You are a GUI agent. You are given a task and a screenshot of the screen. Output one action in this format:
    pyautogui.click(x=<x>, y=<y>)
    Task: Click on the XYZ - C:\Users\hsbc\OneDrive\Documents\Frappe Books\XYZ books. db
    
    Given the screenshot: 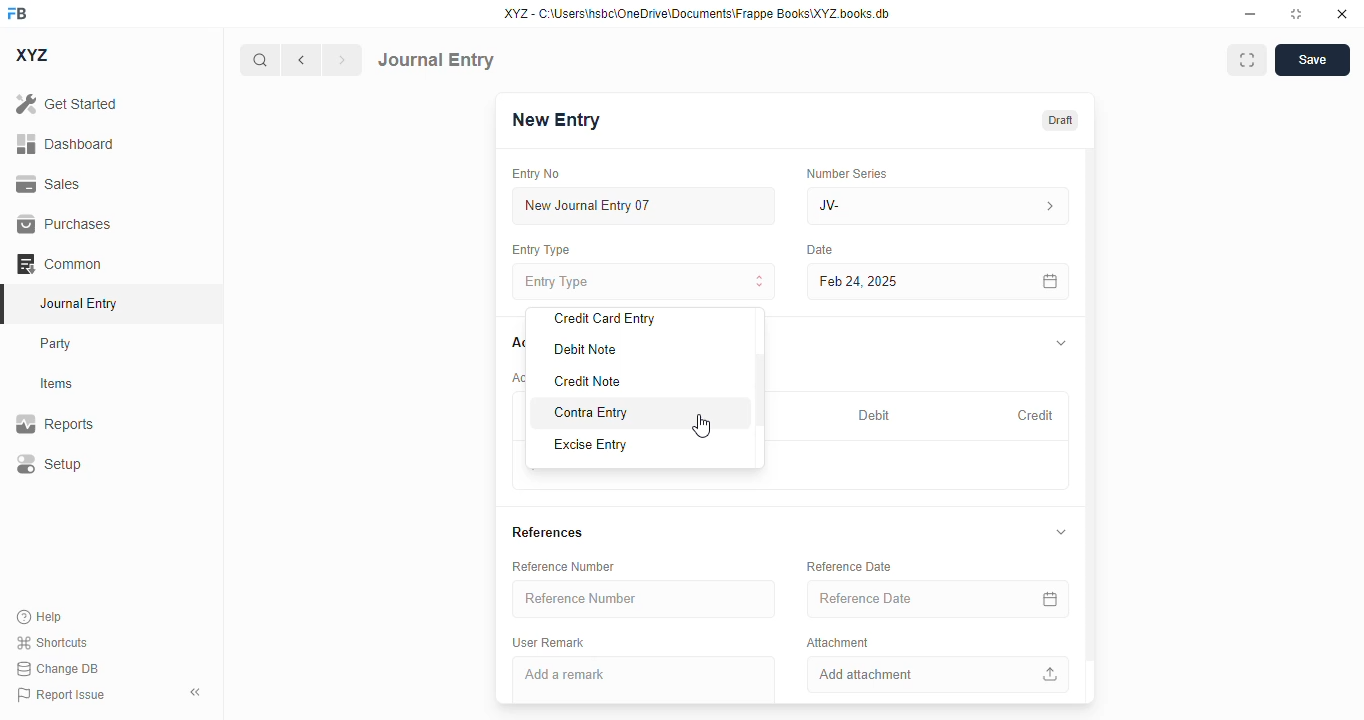 What is the action you would take?
    pyautogui.click(x=697, y=14)
    